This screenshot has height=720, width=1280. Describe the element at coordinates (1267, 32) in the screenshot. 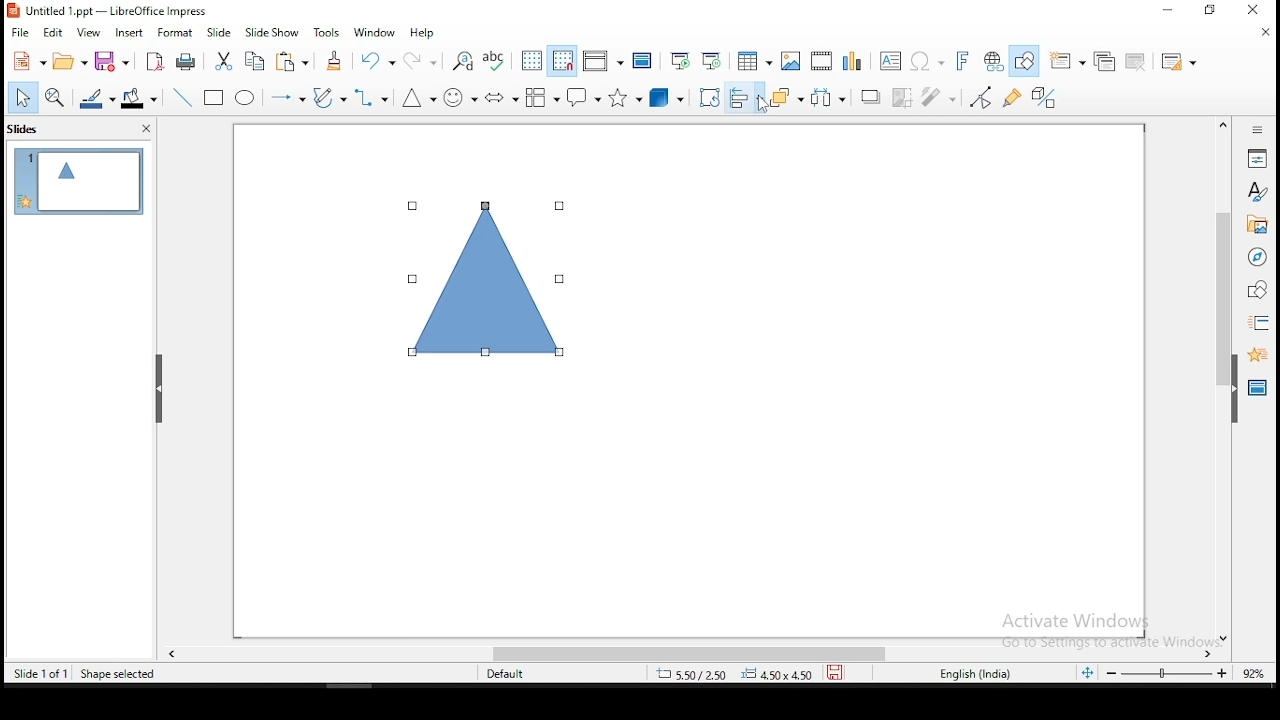

I see `close document` at that location.